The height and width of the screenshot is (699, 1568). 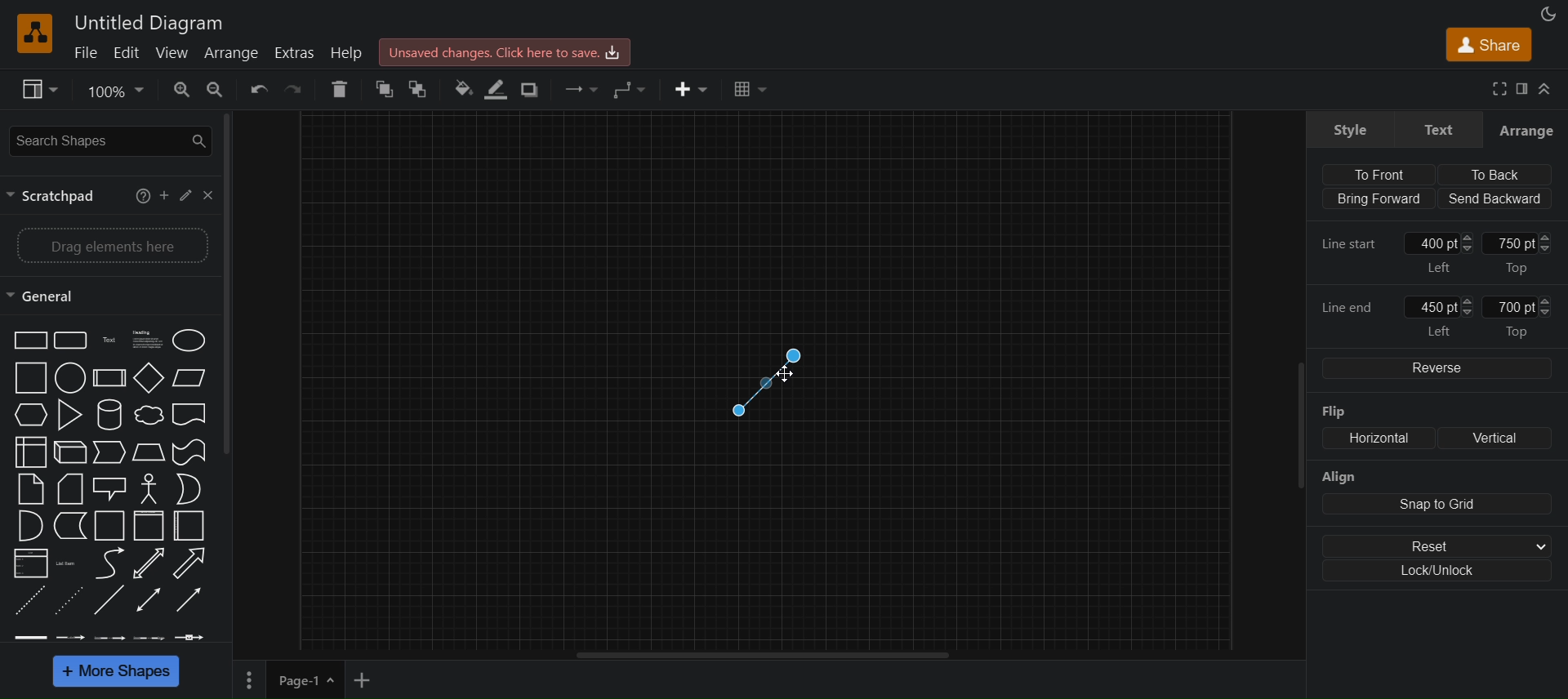 What do you see at coordinates (106, 339) in the screenshot?
I see `Text` at bounding box center [106, 339].